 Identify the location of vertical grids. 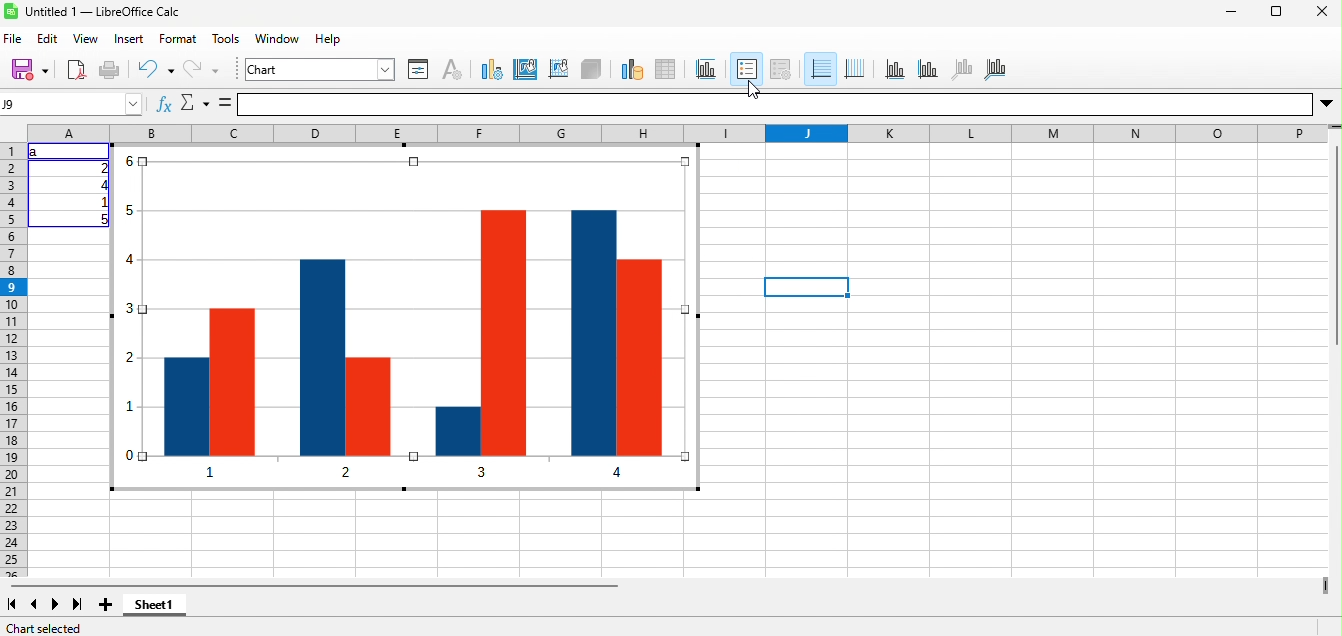
(855, 70).